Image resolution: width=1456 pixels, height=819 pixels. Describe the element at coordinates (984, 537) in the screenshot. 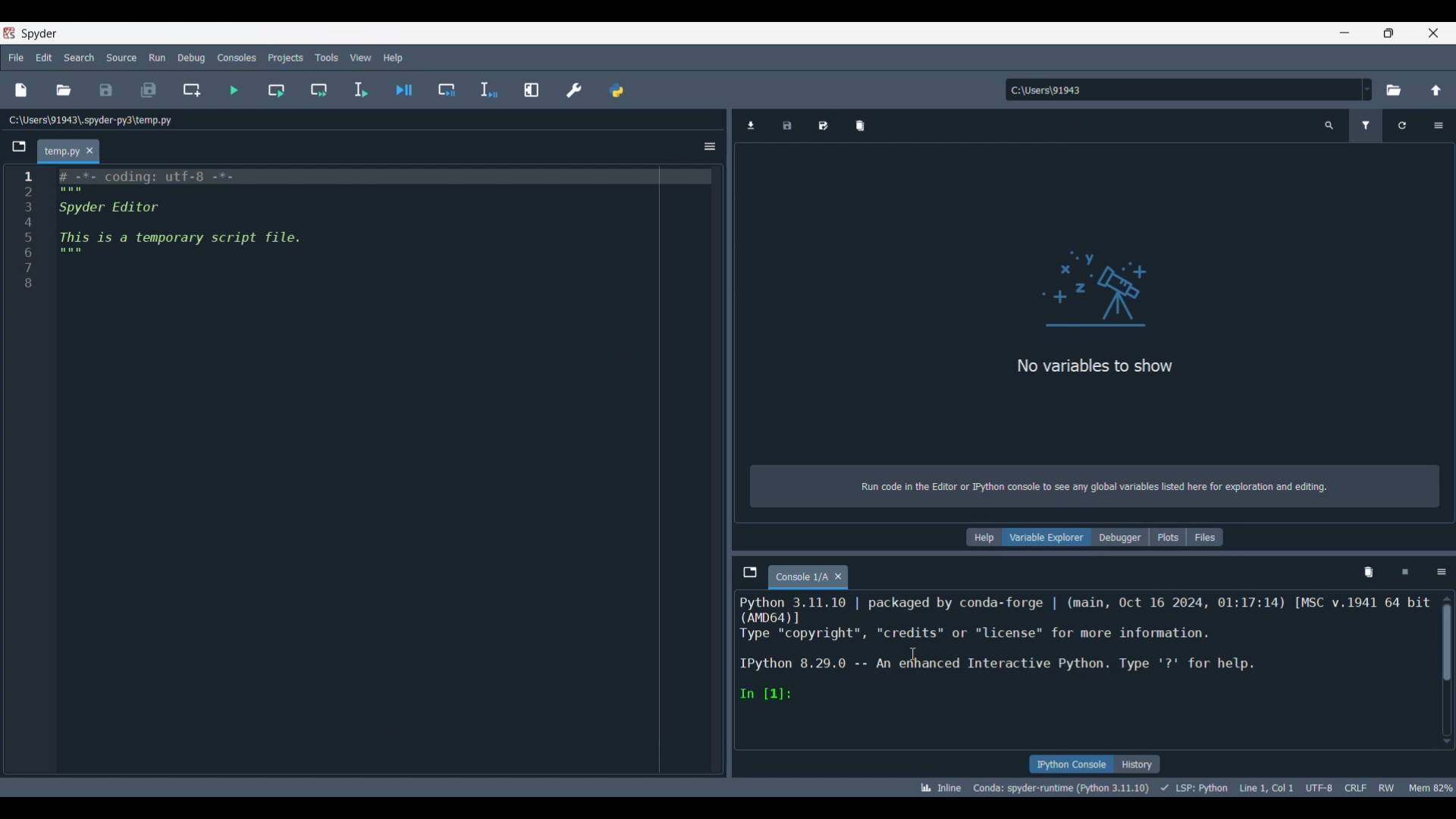

I see `Help` at that location.